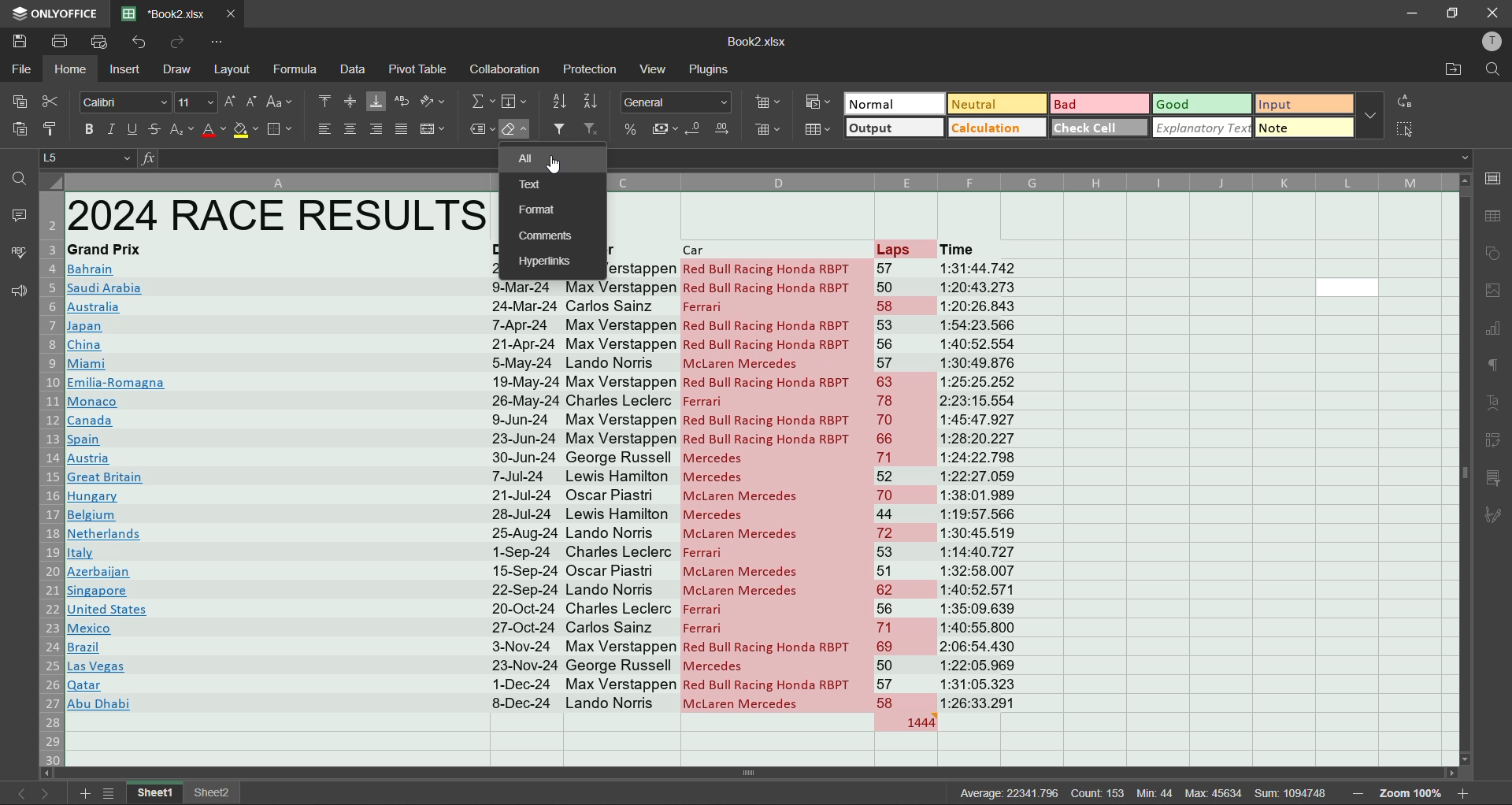 The width and height of the screenshot is (1512, 805). What do you see at coordinates (819, 131) in the screenshot?
I see `format as table` at bounding box center [819, 131].